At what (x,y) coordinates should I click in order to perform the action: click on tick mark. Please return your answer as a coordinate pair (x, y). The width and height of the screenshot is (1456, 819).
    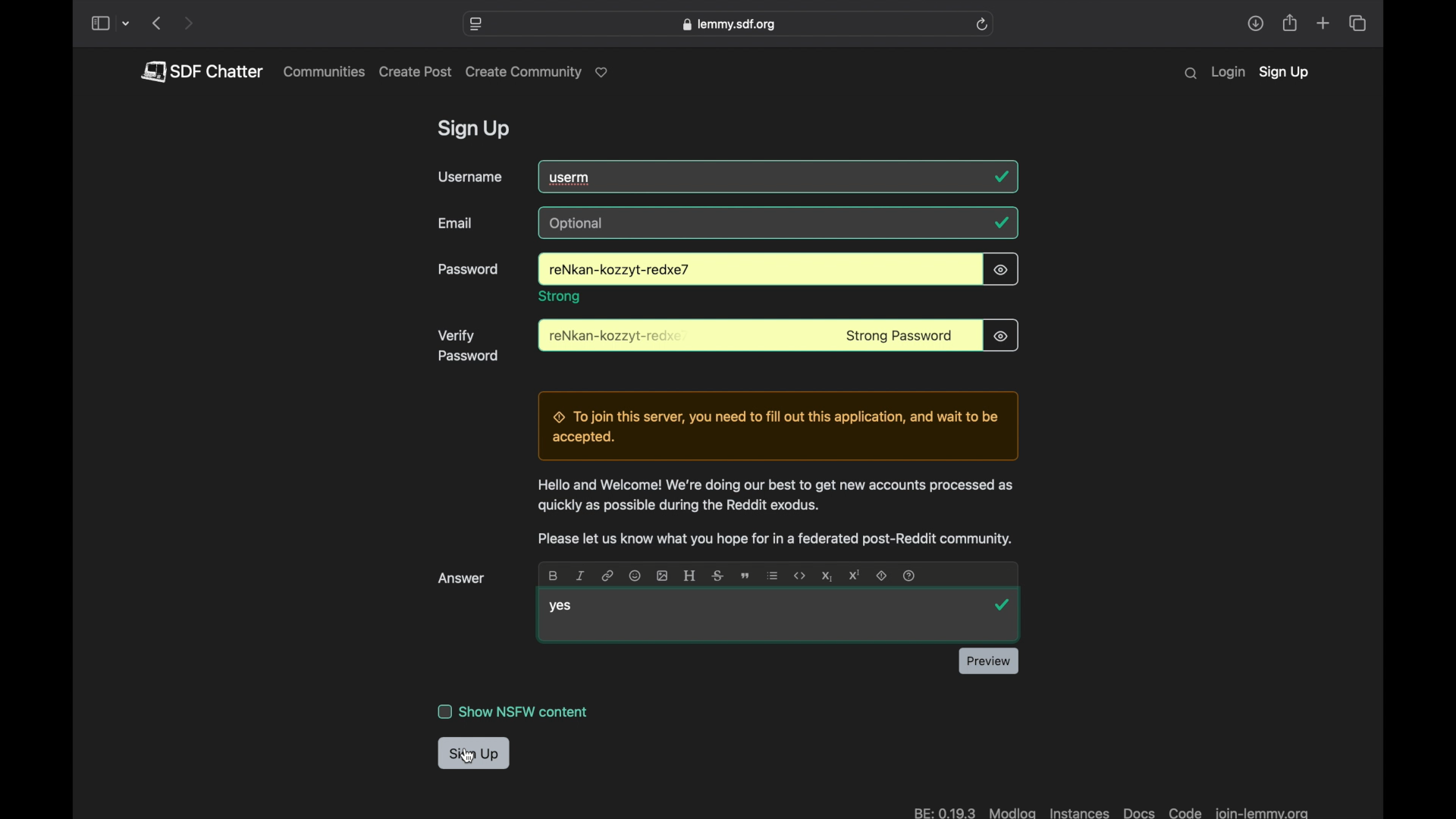
    Looking at the image, I should click on (1005, 606).